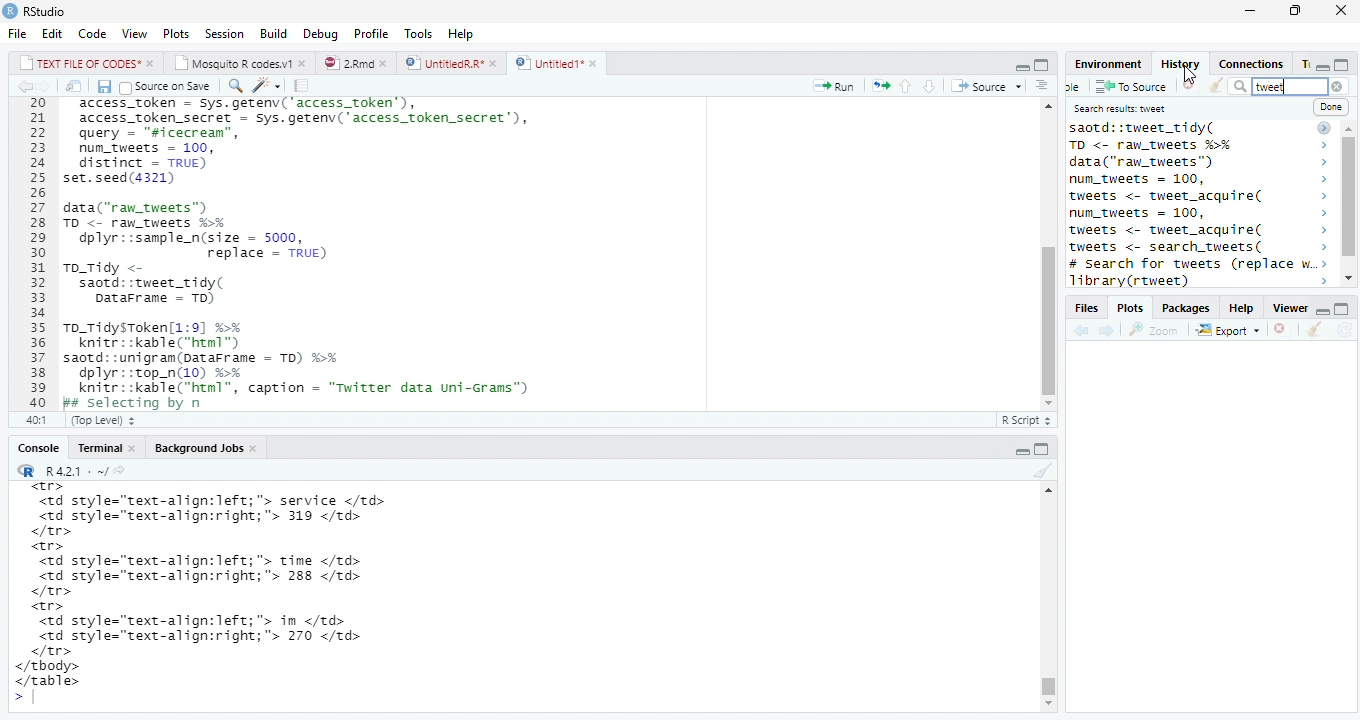 This screenshot has height=720, width=1360. What do you see at coordinates (56, 11) in the screenshot?
I see ` RStudio` at bounding box center [56, 11].